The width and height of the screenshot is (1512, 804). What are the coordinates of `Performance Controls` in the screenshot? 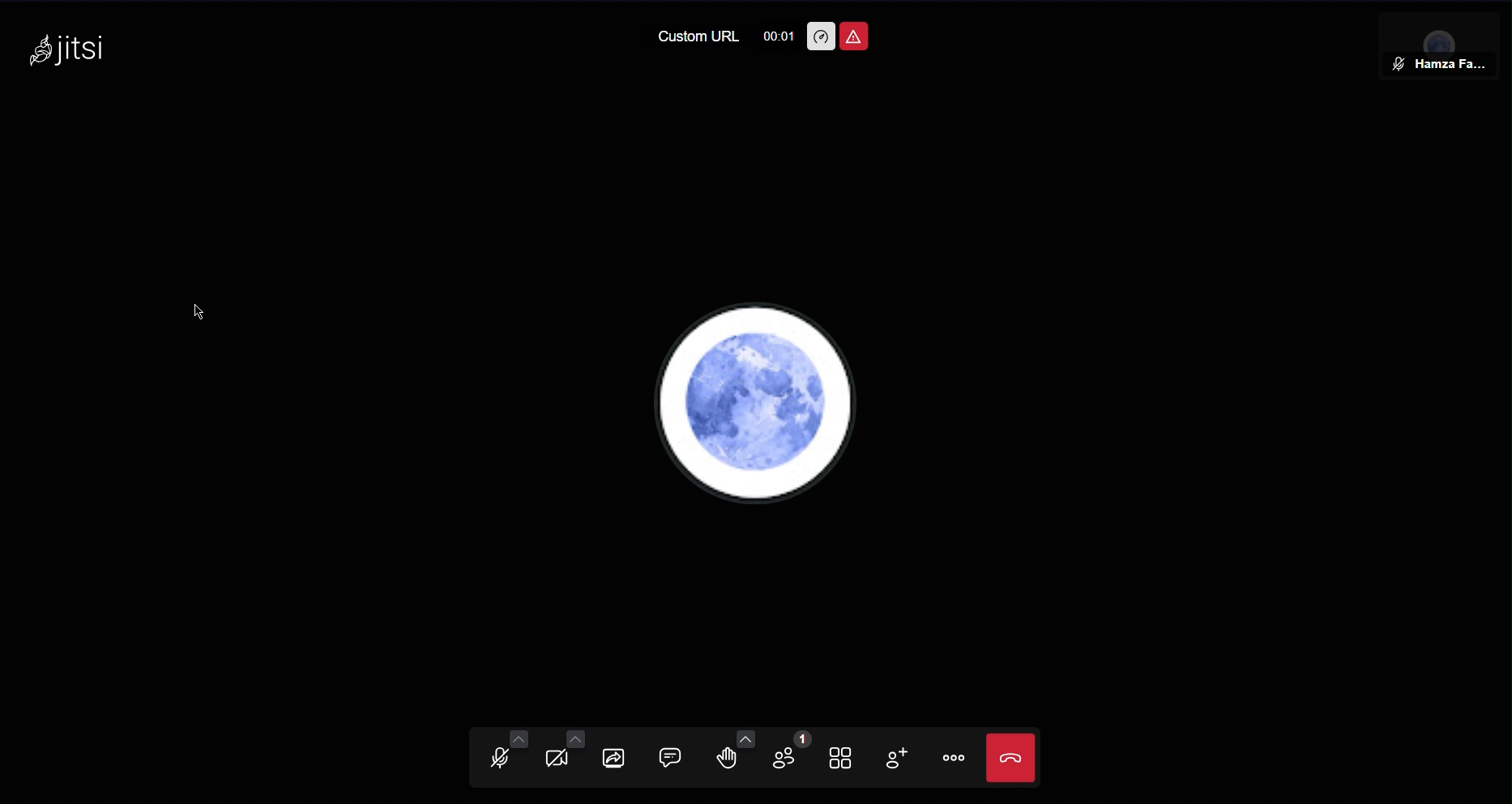 It's located at (822, 37).